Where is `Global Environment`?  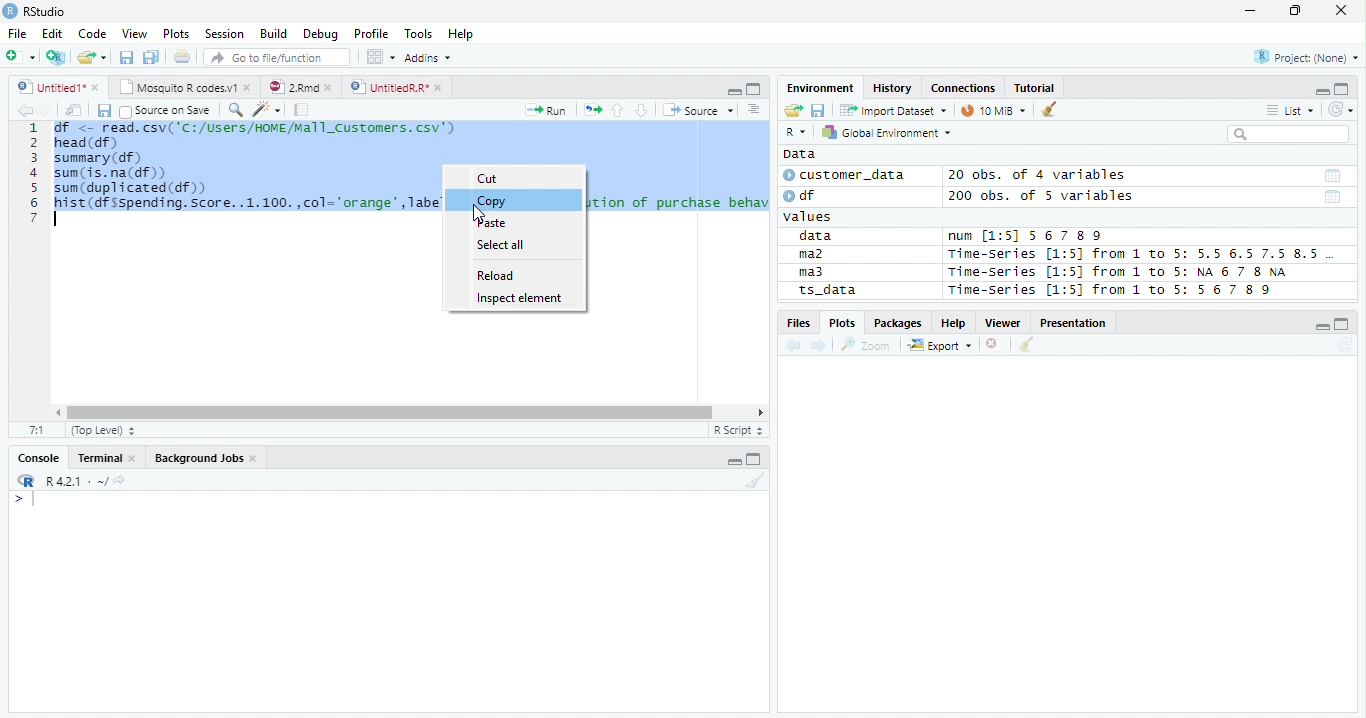
Global Environment is located at coordinates (887, 132).